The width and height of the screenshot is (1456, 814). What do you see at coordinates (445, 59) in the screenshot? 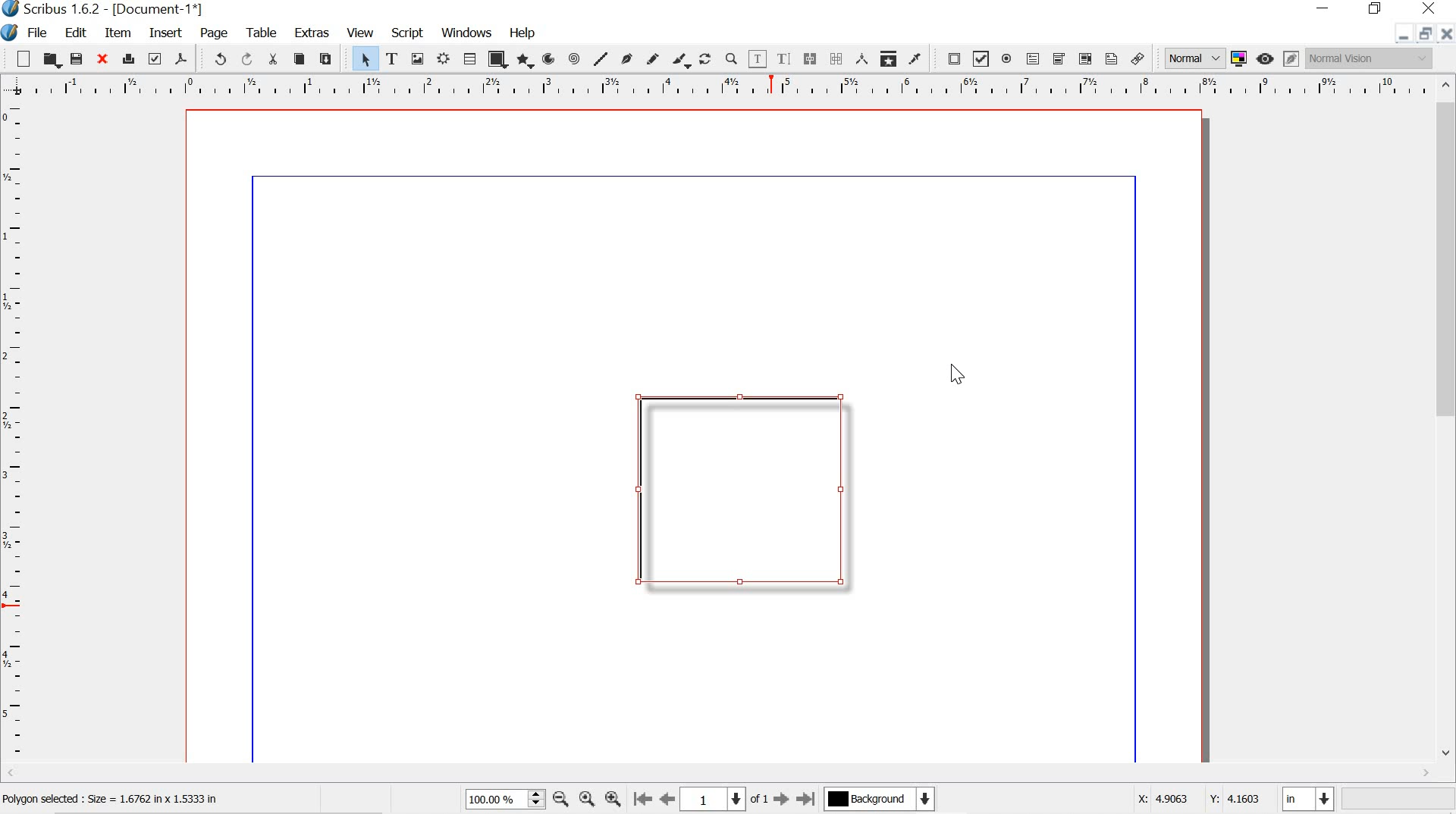
I see `render frame` at bounding box center [445, 59].